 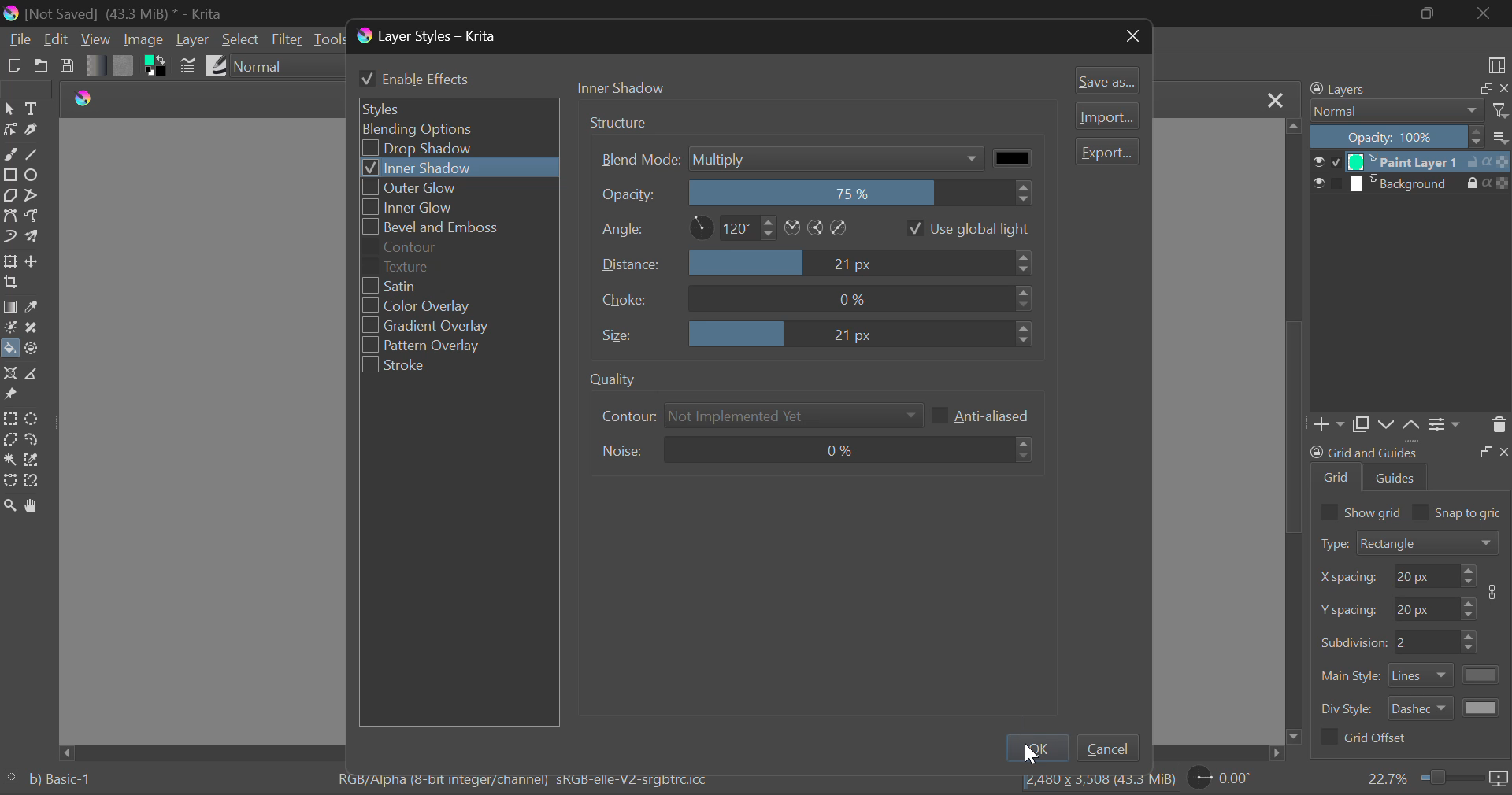 I want to click on structure, so click(x=618, y=121).